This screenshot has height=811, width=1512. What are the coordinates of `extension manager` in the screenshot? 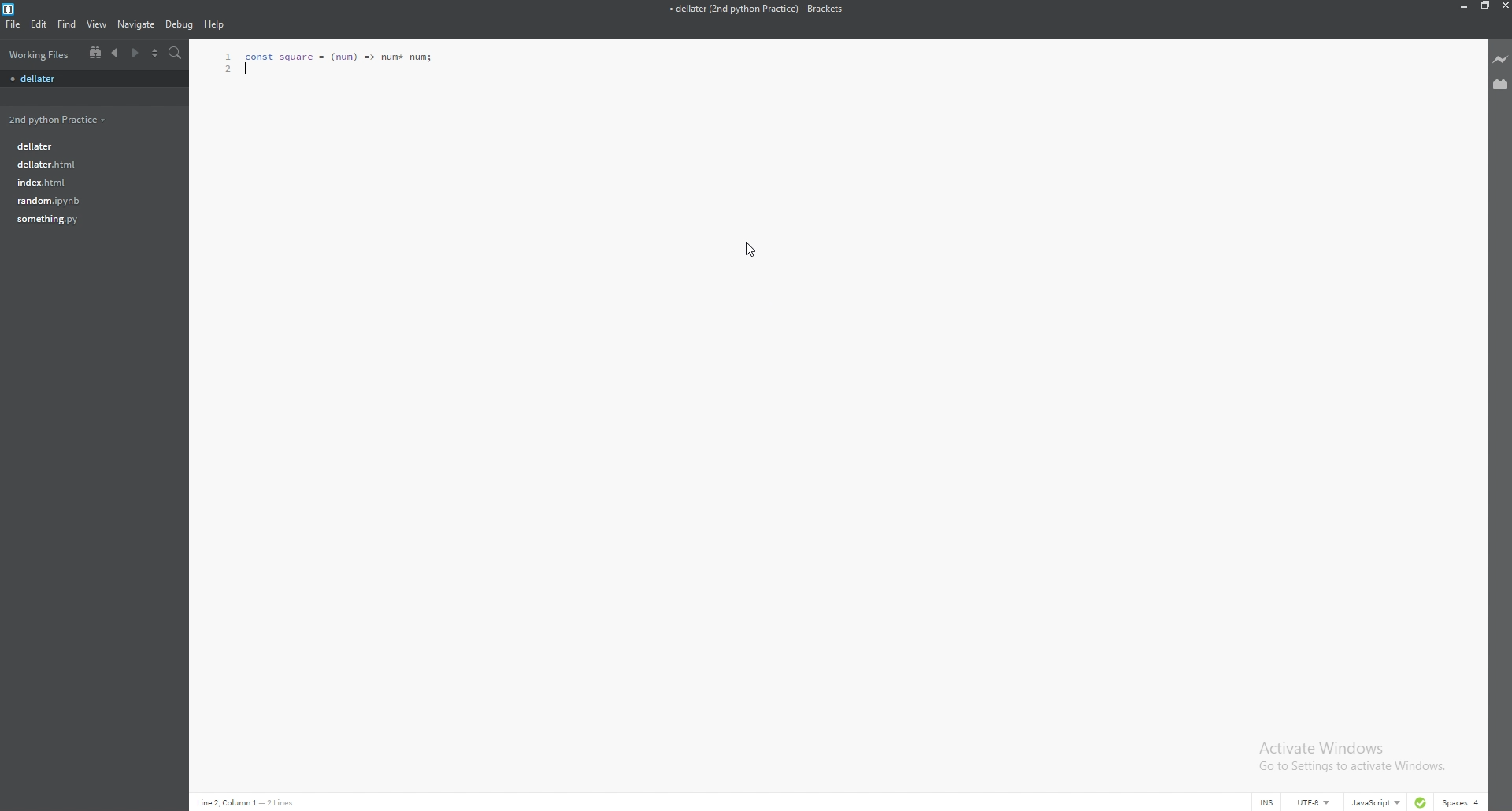 It's located at (1499, 83).